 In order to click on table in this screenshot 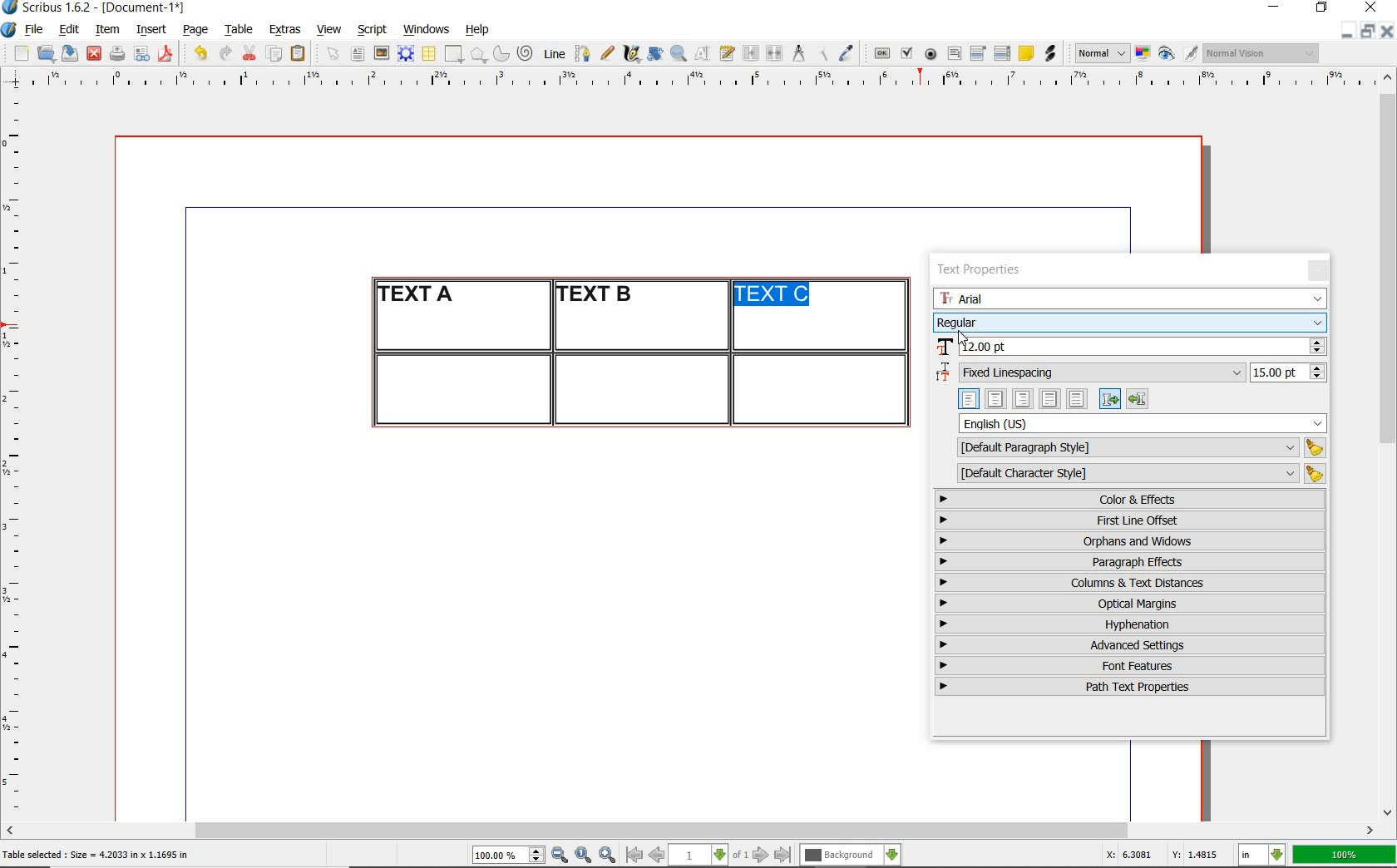, I will do `click(430, 54)`.